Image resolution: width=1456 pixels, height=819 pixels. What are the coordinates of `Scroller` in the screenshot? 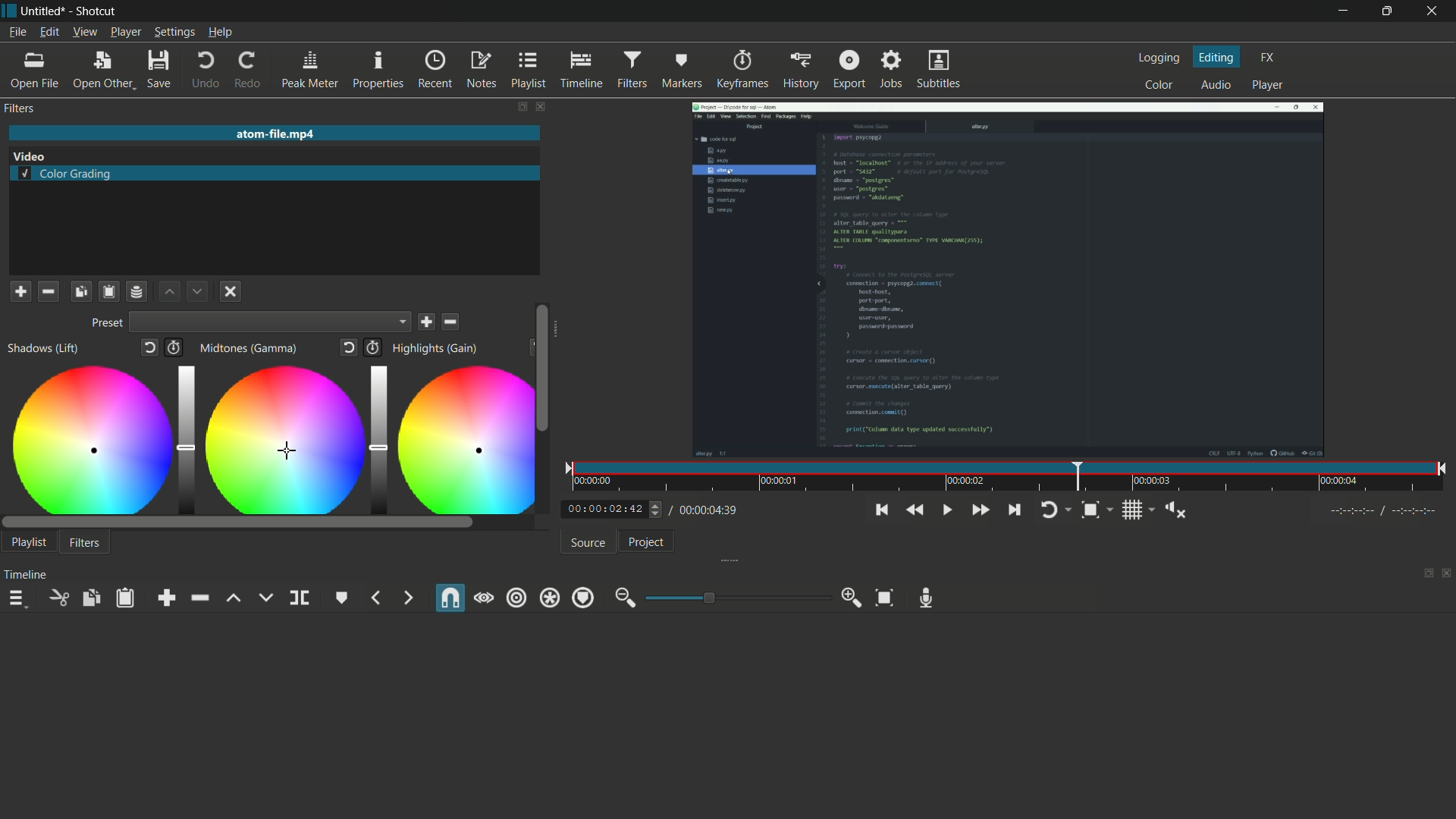 It's located at (268, 522).